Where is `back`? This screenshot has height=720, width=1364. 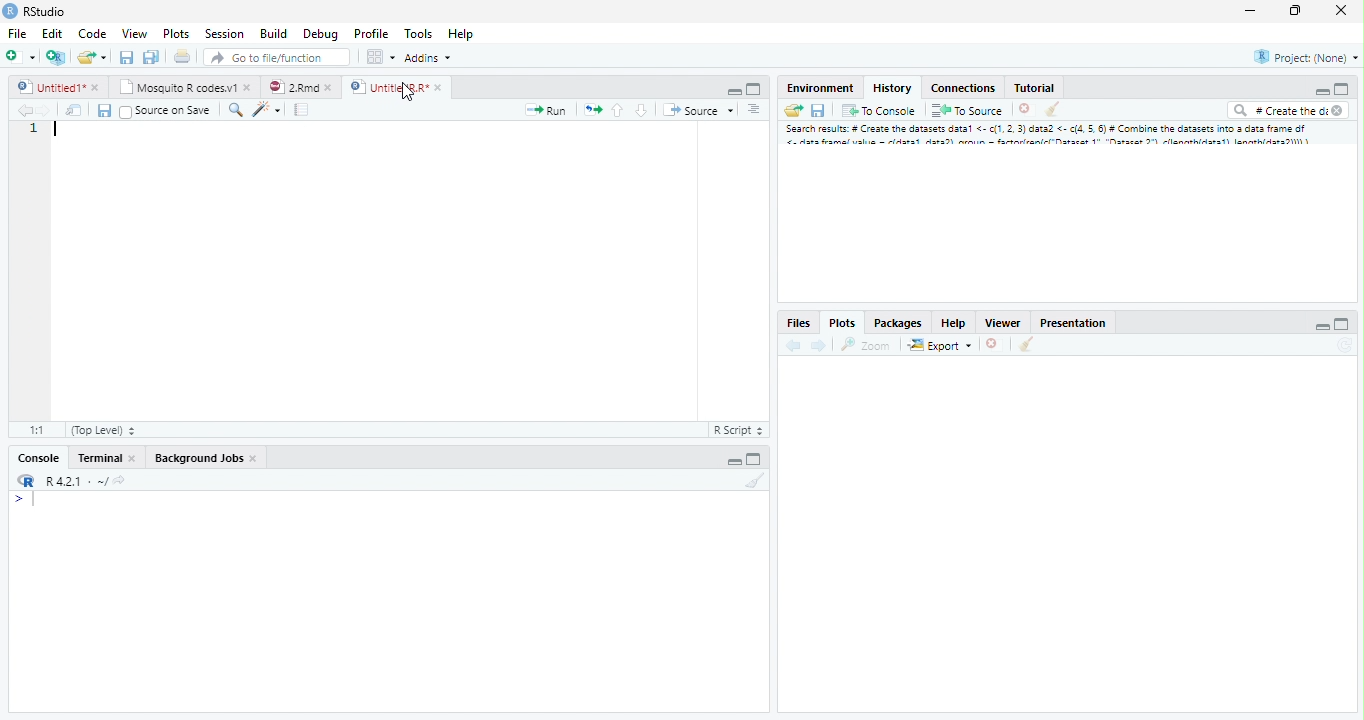 back is located at coordinates (794, 347).